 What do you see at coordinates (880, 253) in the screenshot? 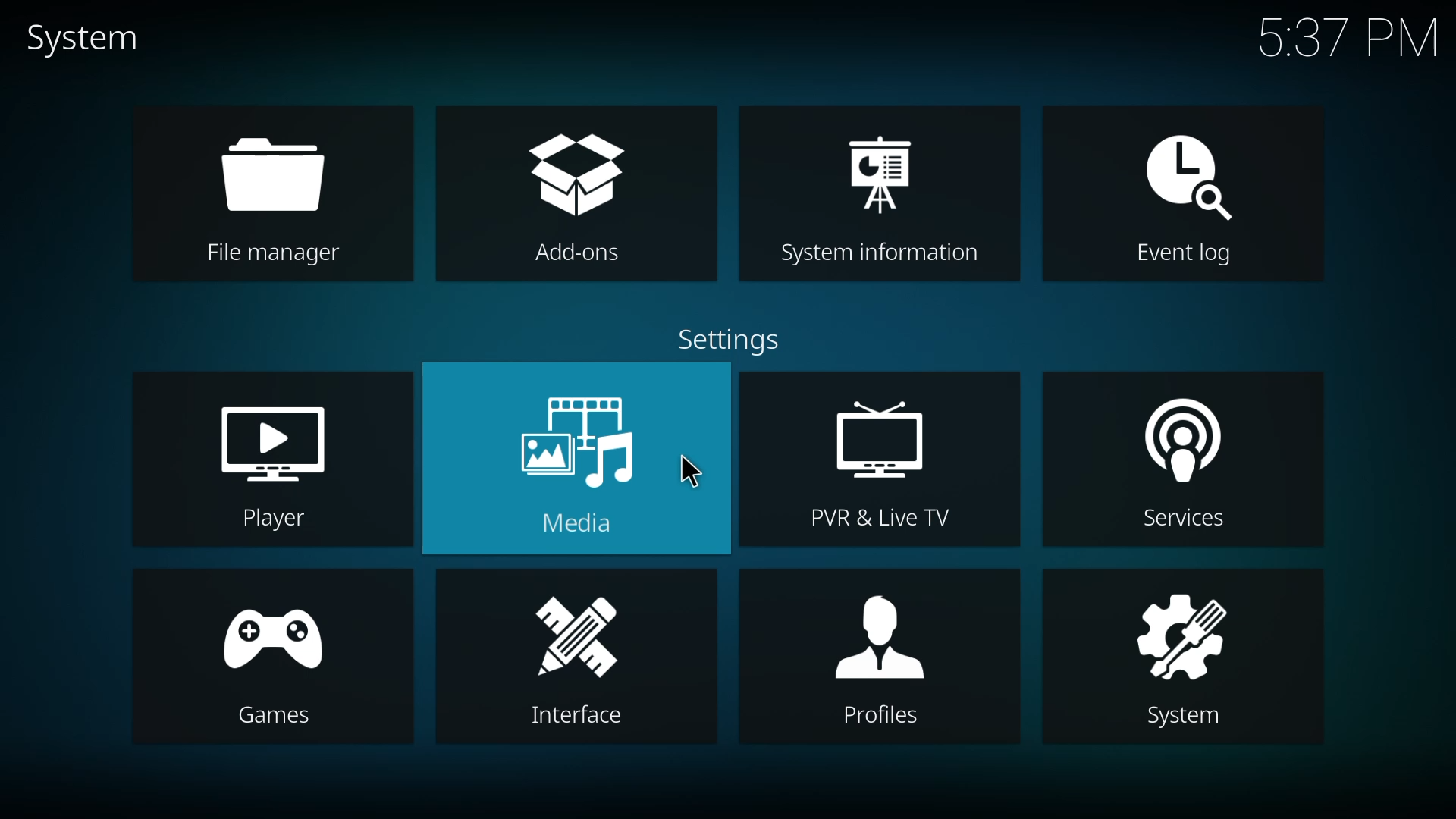
I see `System information` at bounding box center [880, 253].